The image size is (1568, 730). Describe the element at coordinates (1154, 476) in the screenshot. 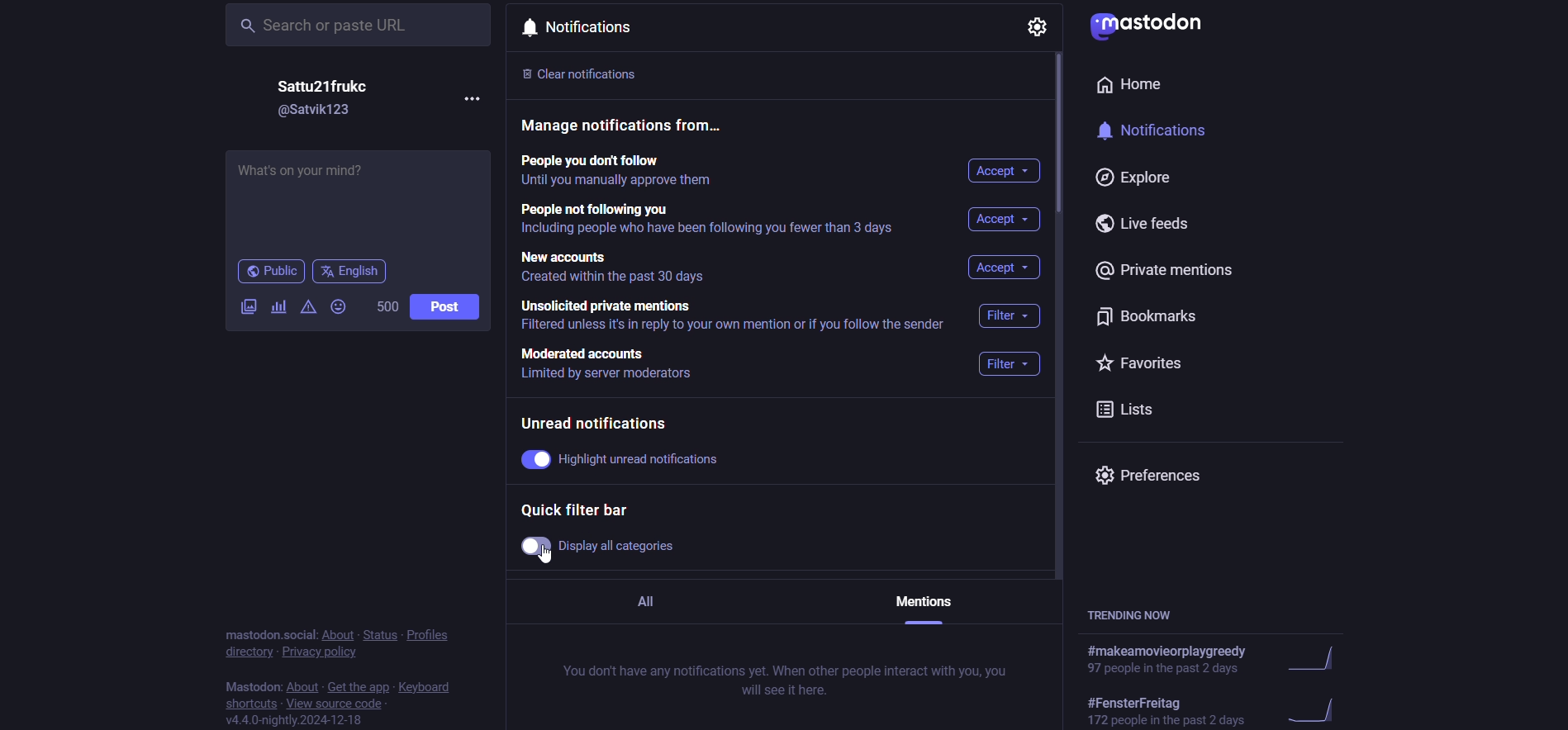

I see `Preferences` at that location.